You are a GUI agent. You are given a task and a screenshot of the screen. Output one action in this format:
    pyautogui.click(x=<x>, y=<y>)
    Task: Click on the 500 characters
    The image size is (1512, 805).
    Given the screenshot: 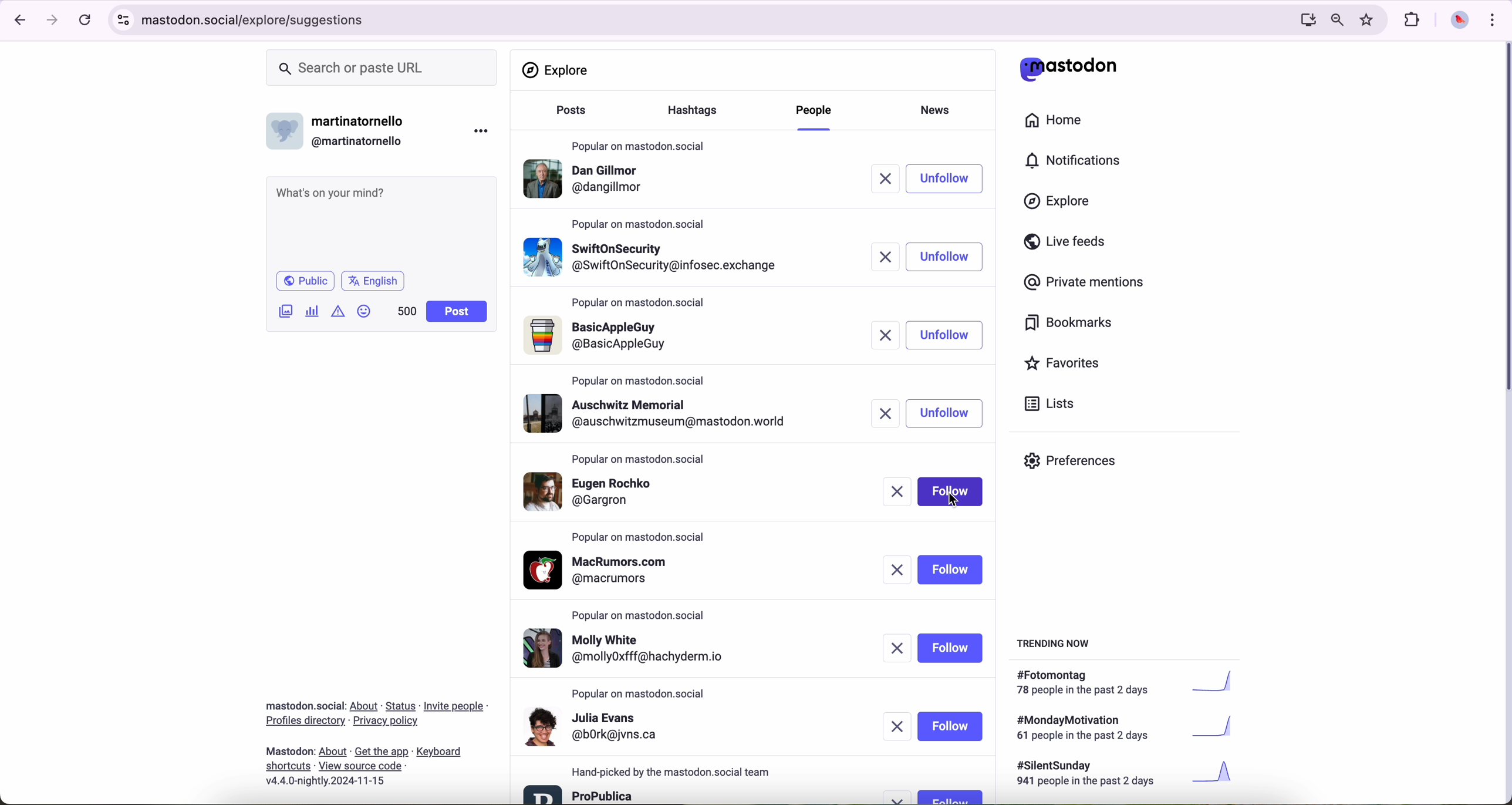 What is the action you would take?
    pyautogui.click(x=406, y=311)
    